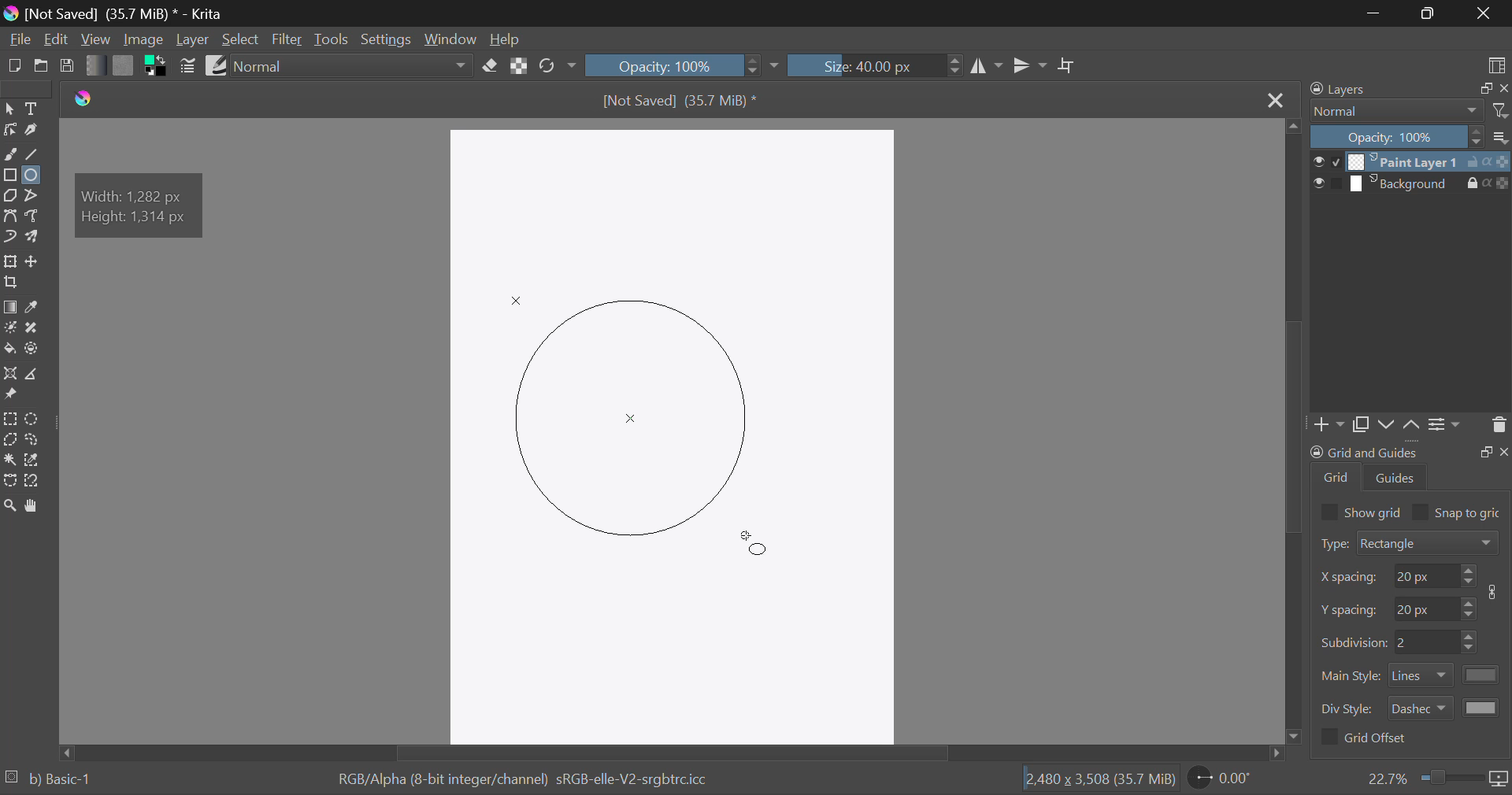 The width and height of the screenshot is (1512, 795). What do you see at coordinates (1362, 425) in the screenshot?
I see `Copy Layers` at bounding box center [1362, 425].